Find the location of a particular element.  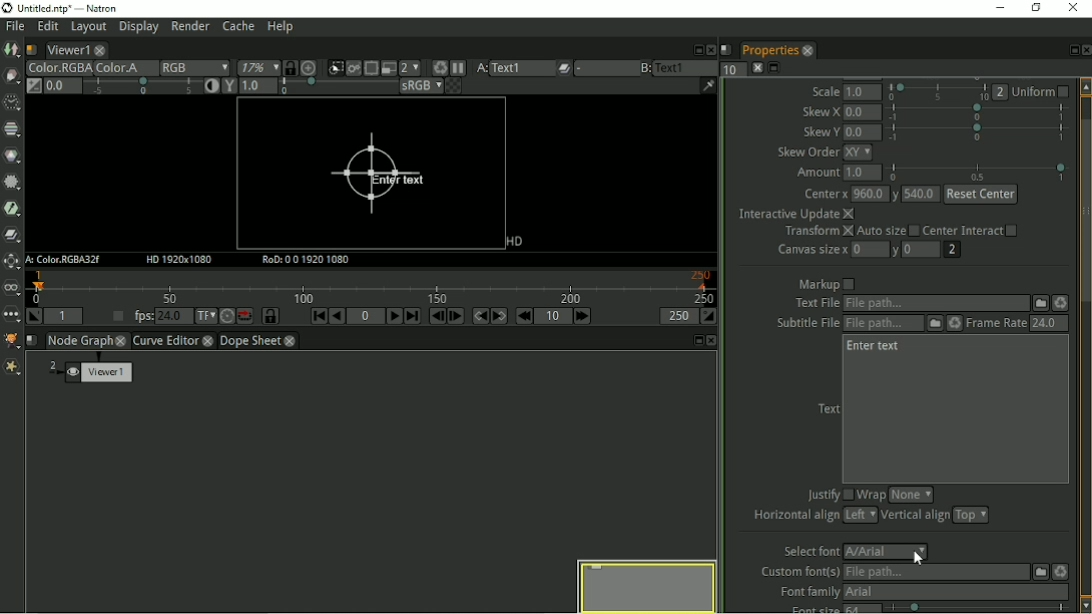

Auto size is located at coordinates (888, 231).